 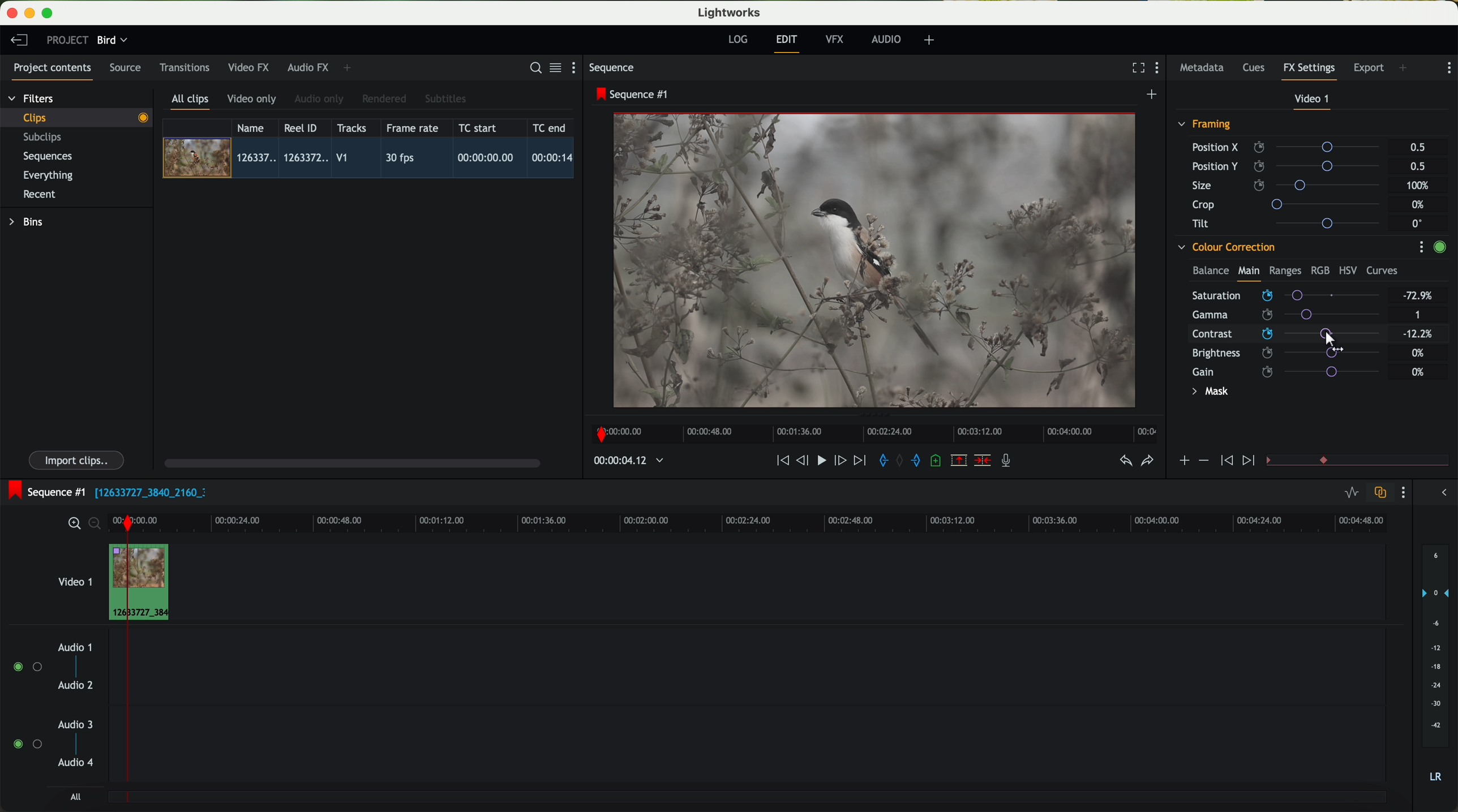 What do you see at coordinates (1369, 69) in the screenshot?
I see `export` at bounding box center [1369, 69].